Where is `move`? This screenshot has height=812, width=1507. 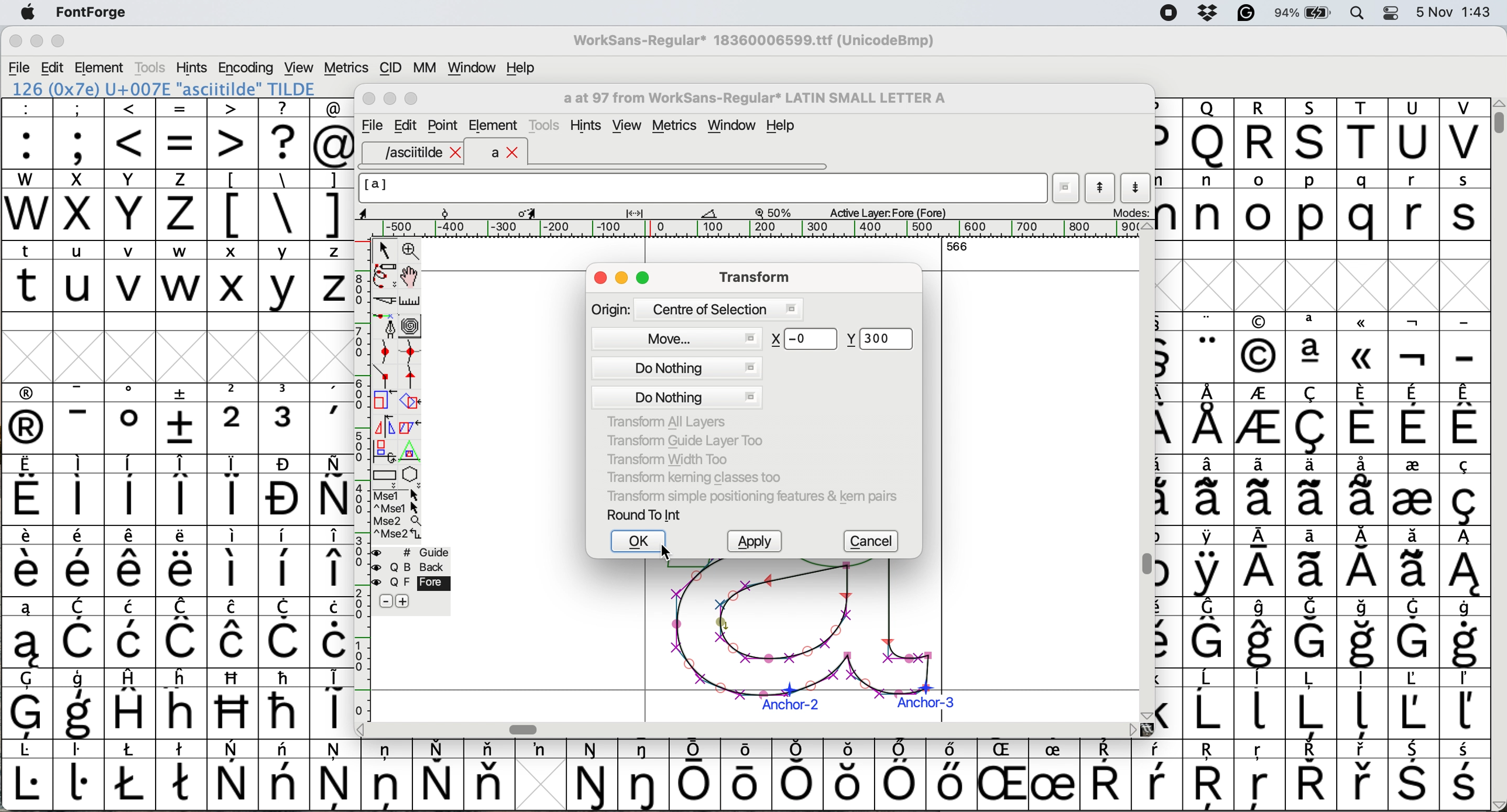 move is located at coordinates (682, 336).